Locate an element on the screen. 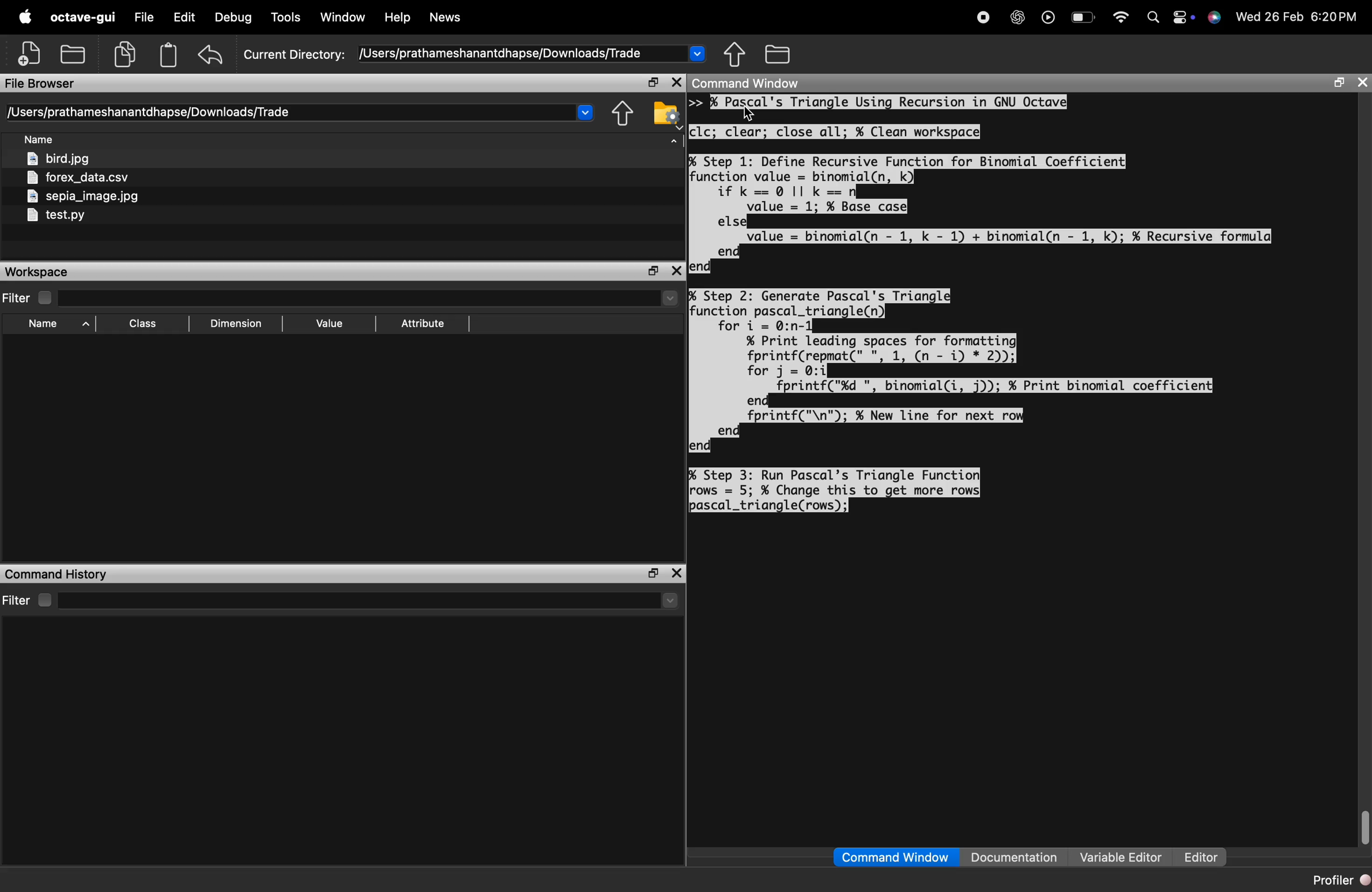  wifi is located at coordinates (1121, 17).